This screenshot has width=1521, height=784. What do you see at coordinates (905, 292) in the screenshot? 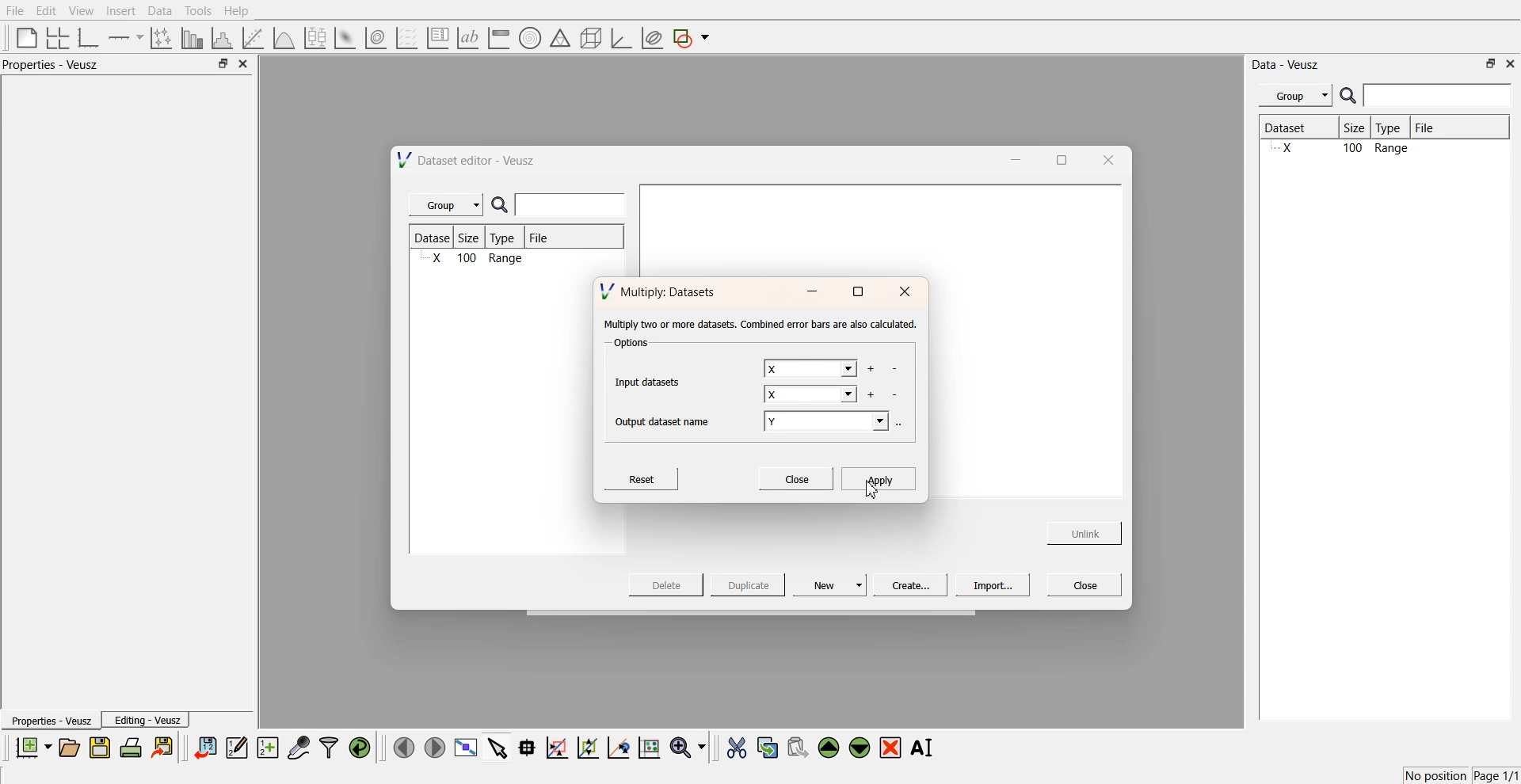
I see `close` at bounding box center [905, 292].